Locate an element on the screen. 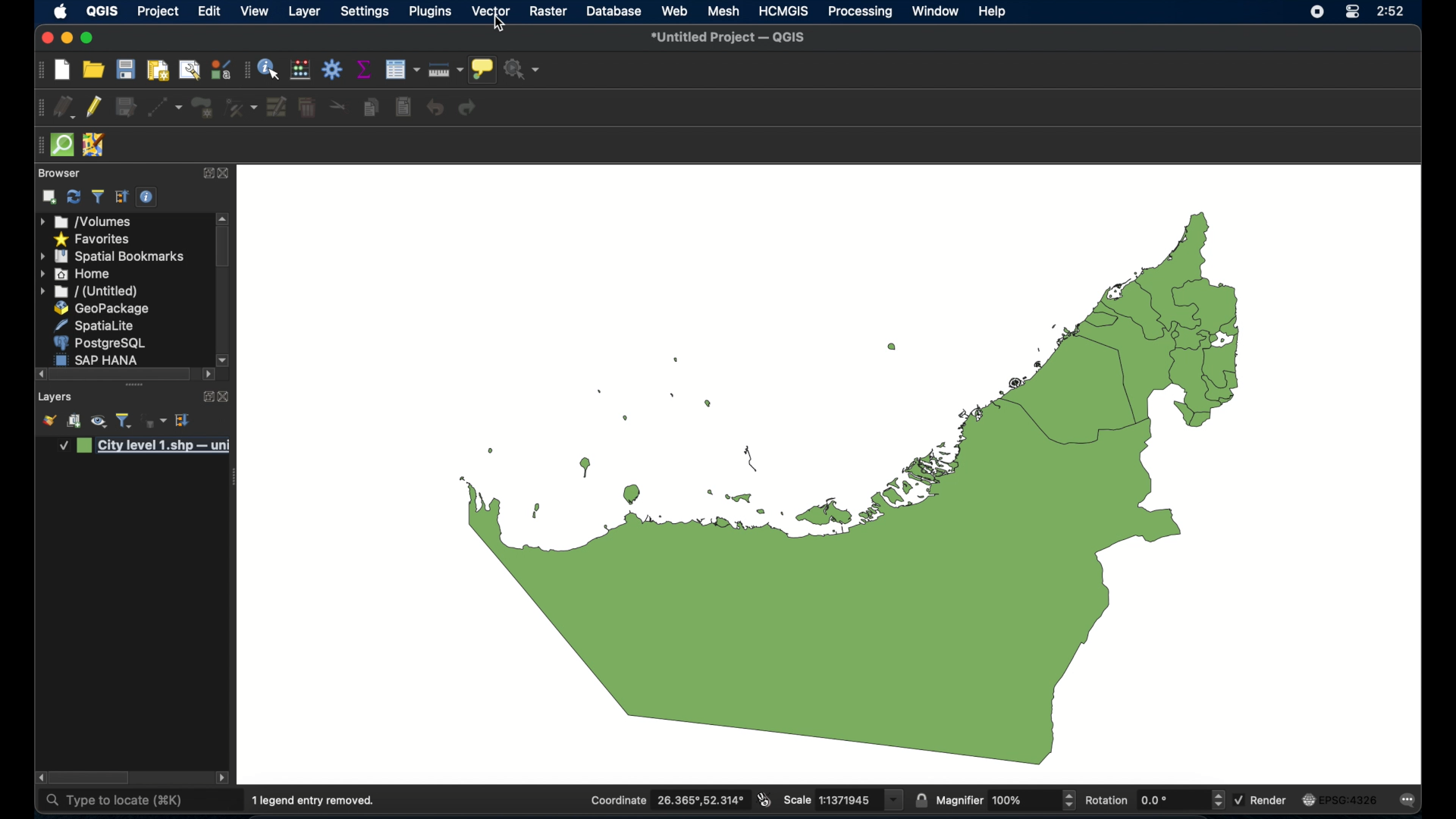  scroll box is located at coordinates (92, 778).